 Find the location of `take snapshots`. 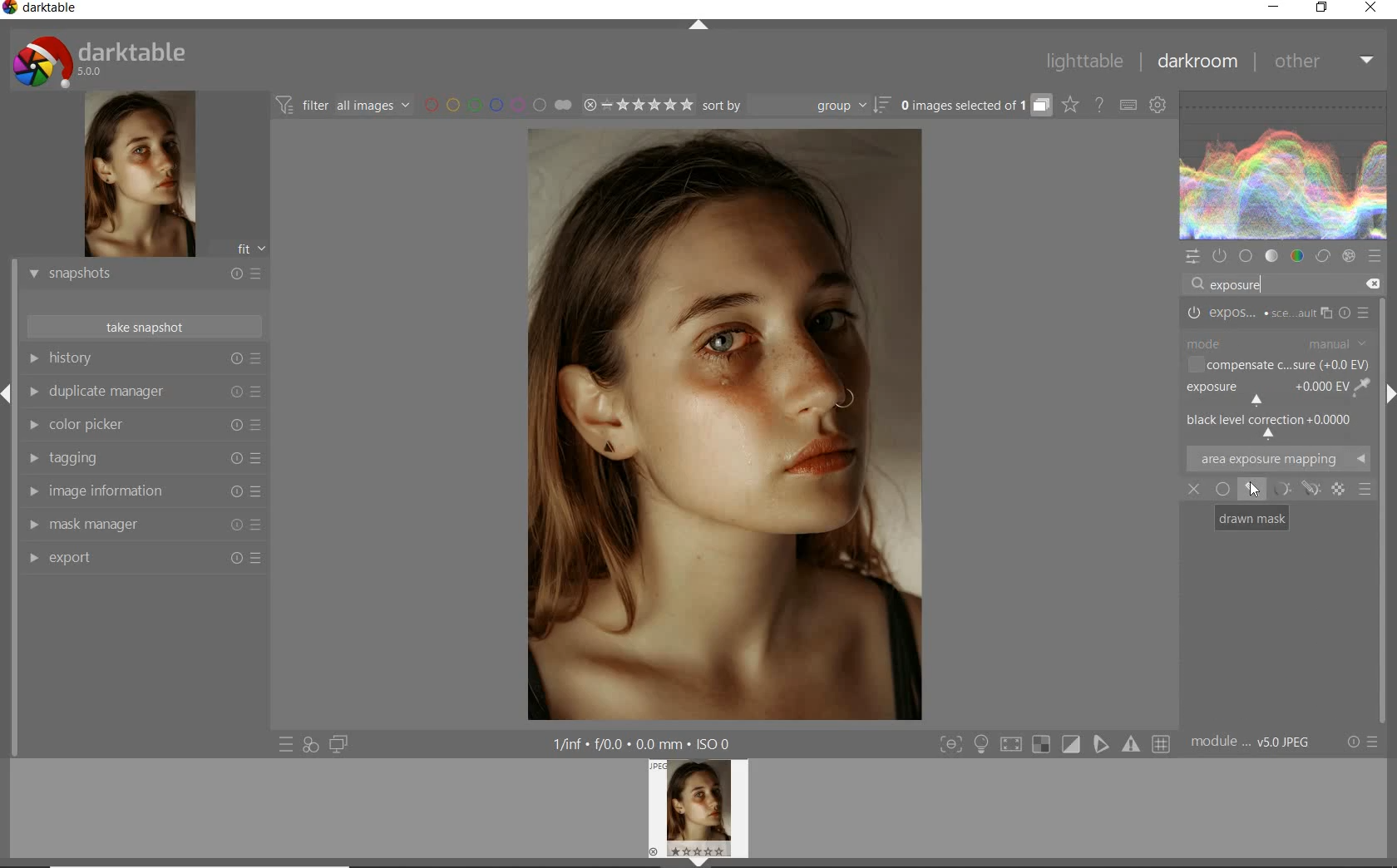

take snapshots is located at coordinates (146, 327).